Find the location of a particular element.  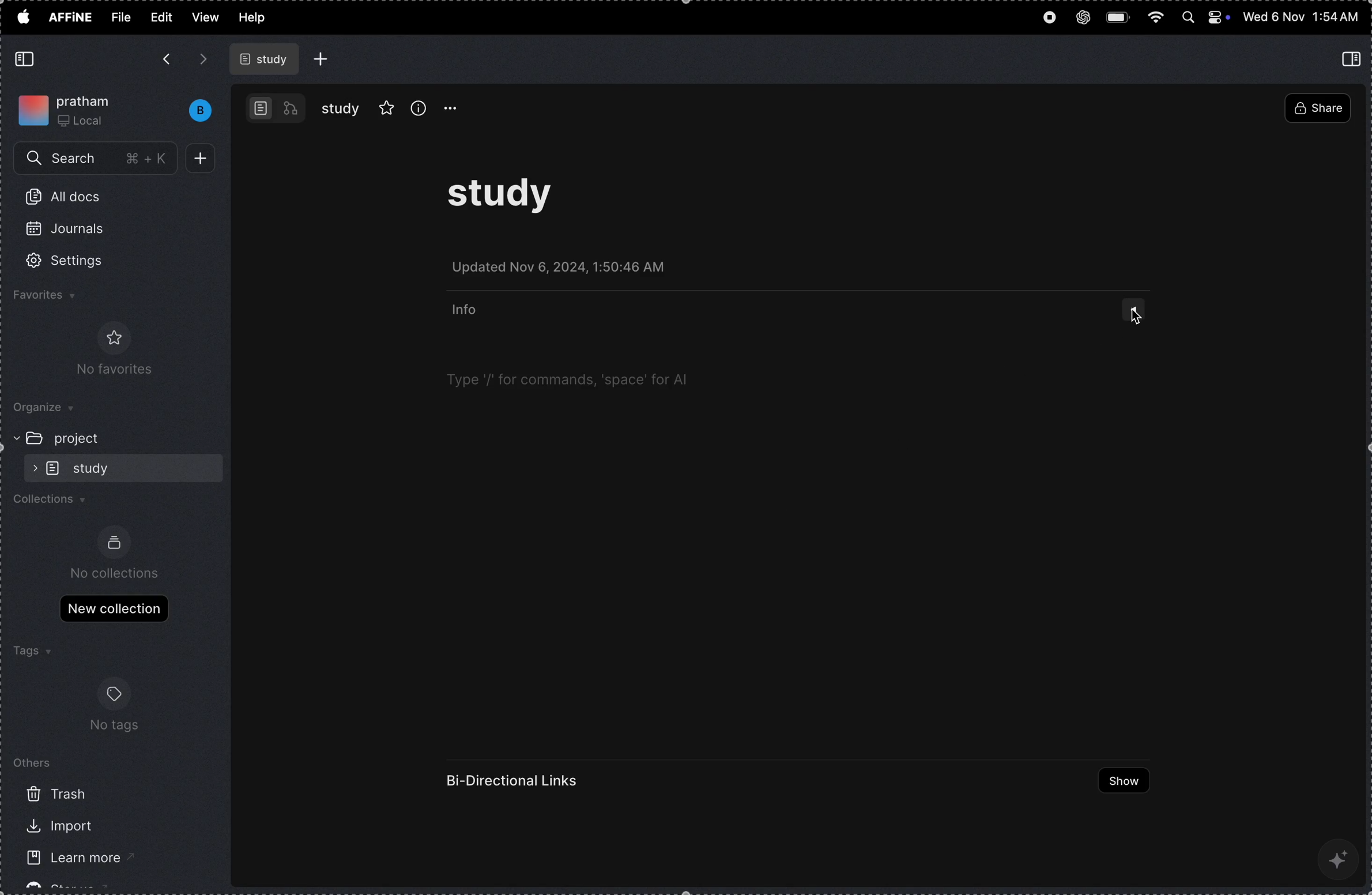

view is located at coordinates (205, 17).